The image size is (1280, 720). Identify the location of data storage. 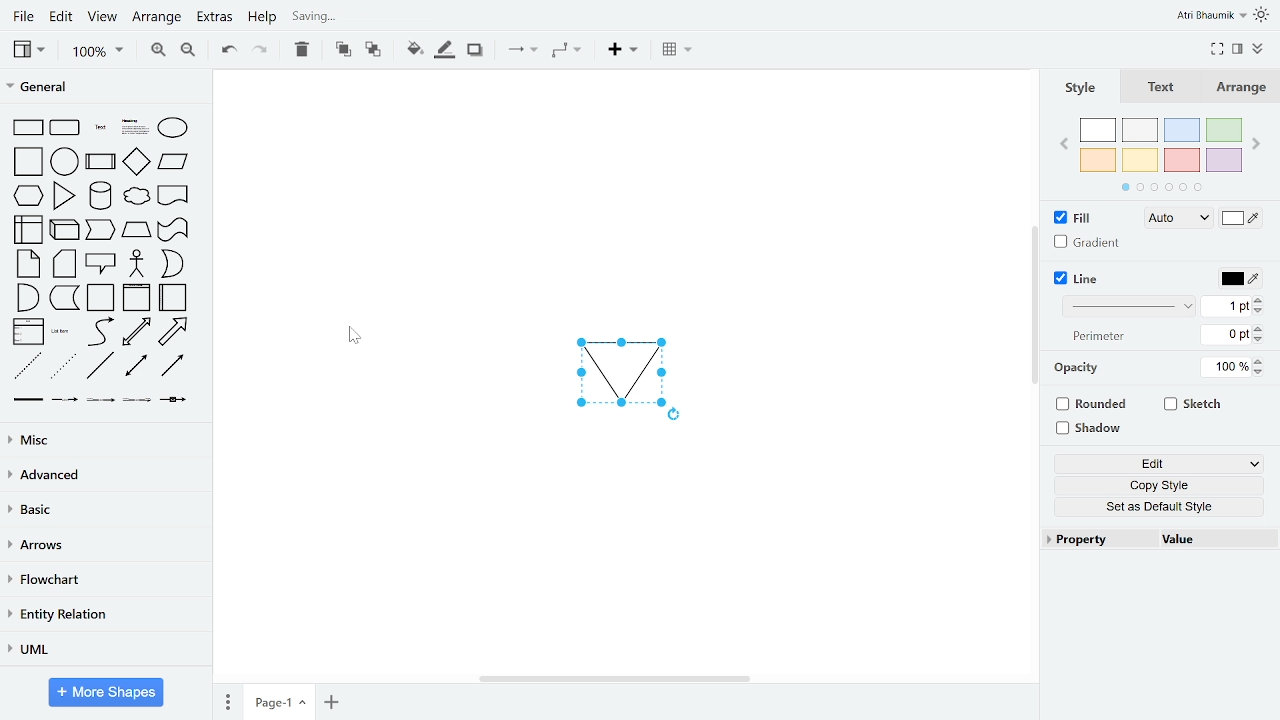
(65, 300).